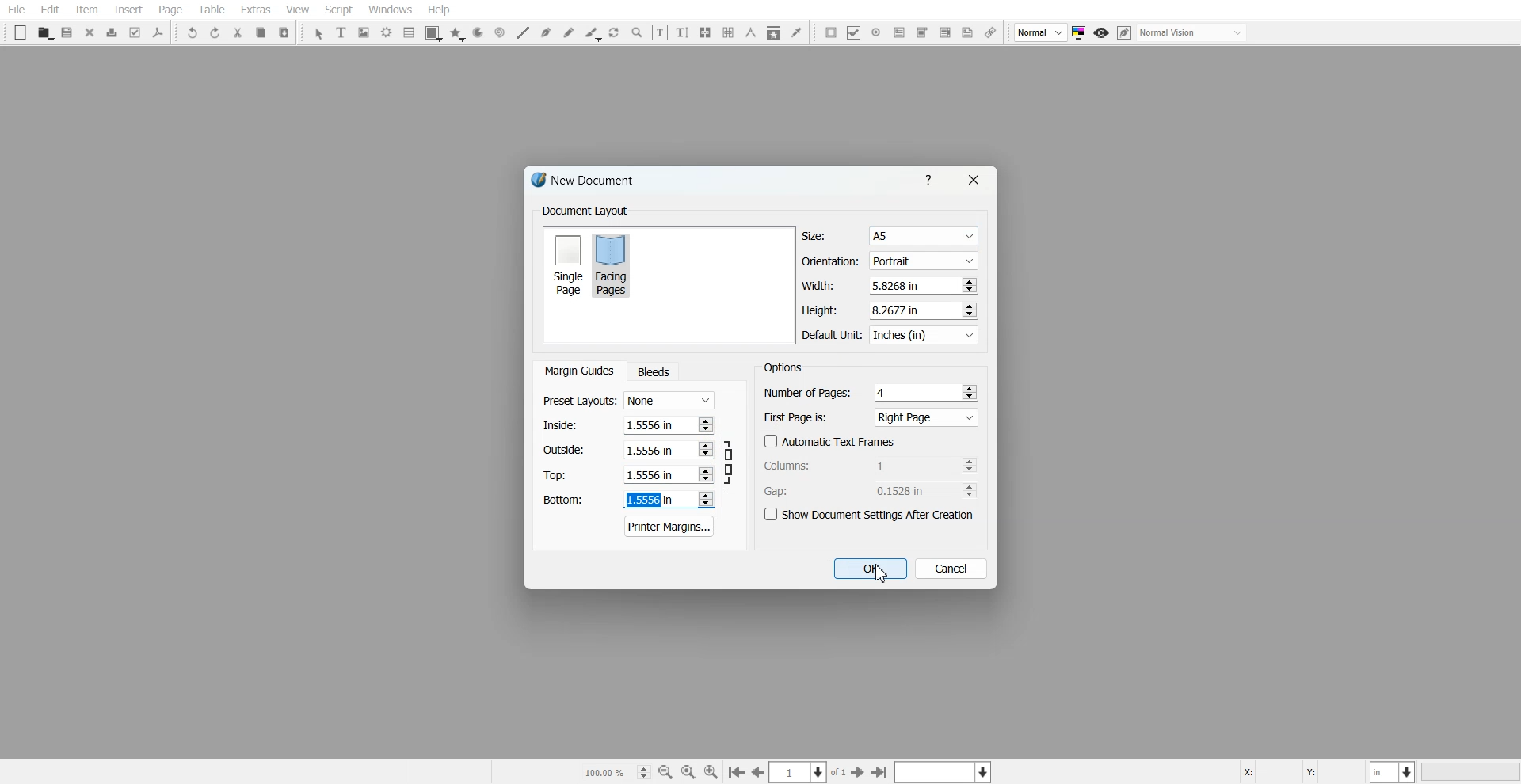  I want to click on Select the current layer, so click(945, 771).